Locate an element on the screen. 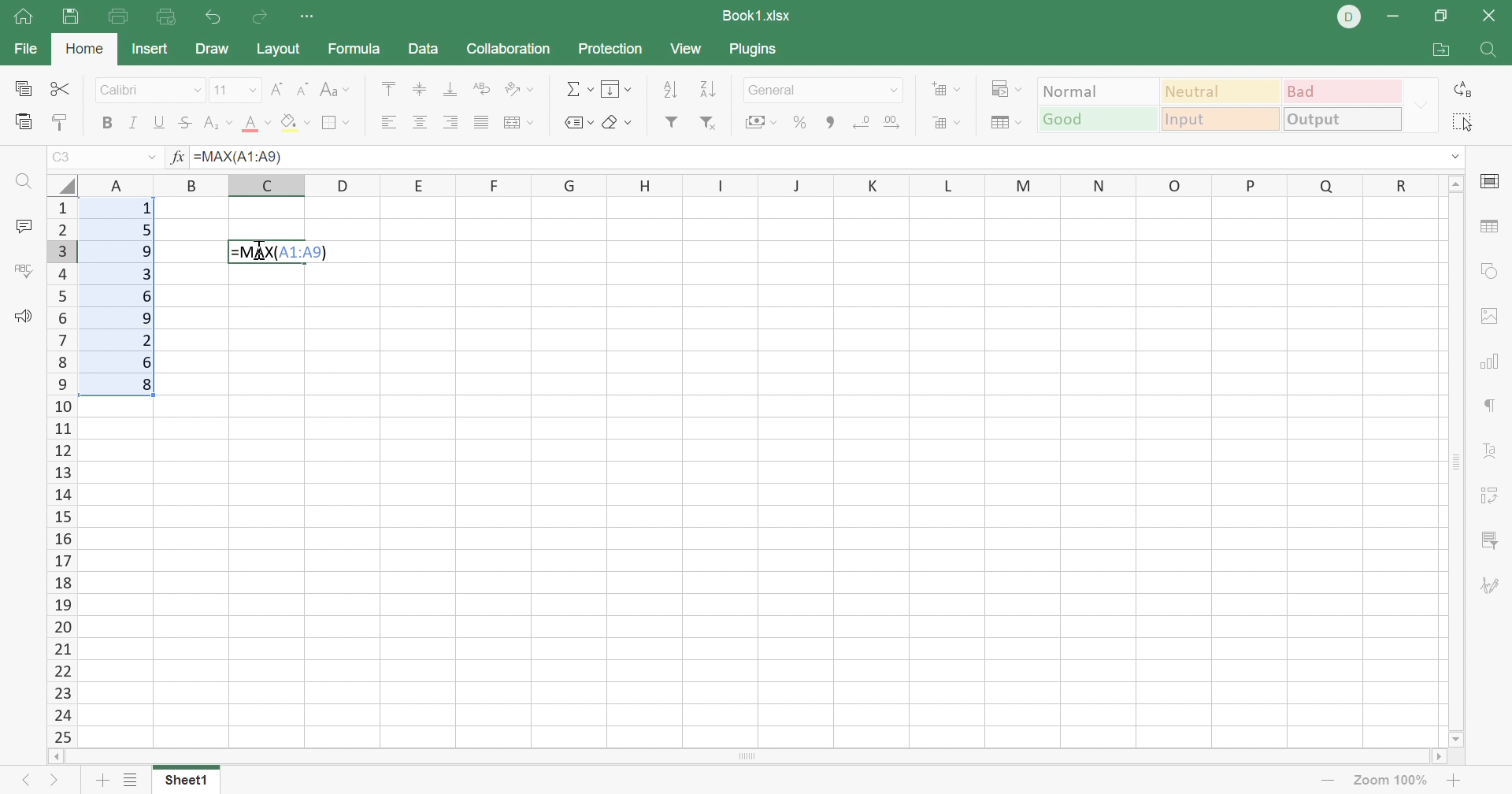  Scroll Right is located at coordinates (1430, 759).